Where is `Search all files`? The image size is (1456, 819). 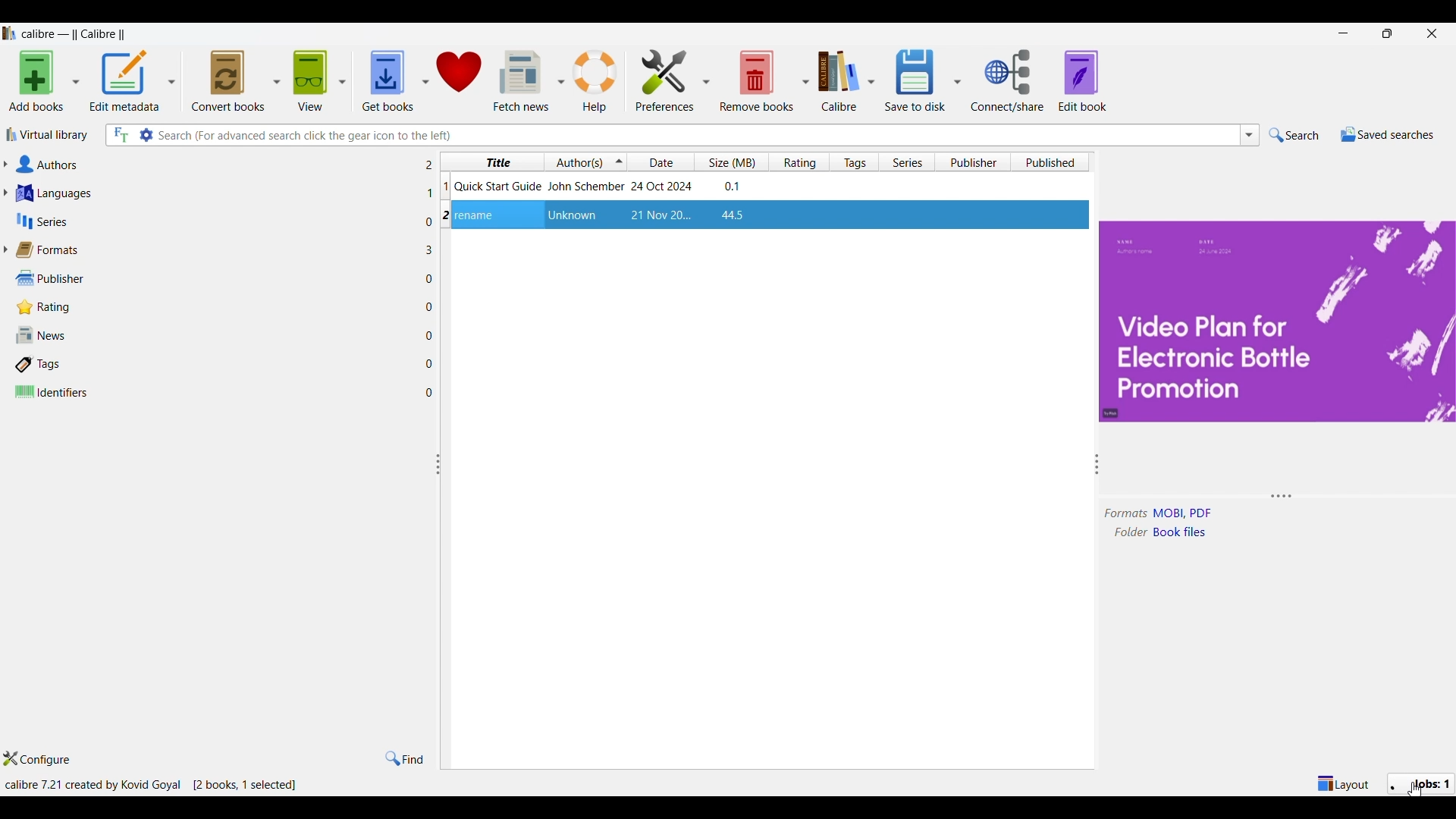 Search all files is located at coordinates (120, 135).